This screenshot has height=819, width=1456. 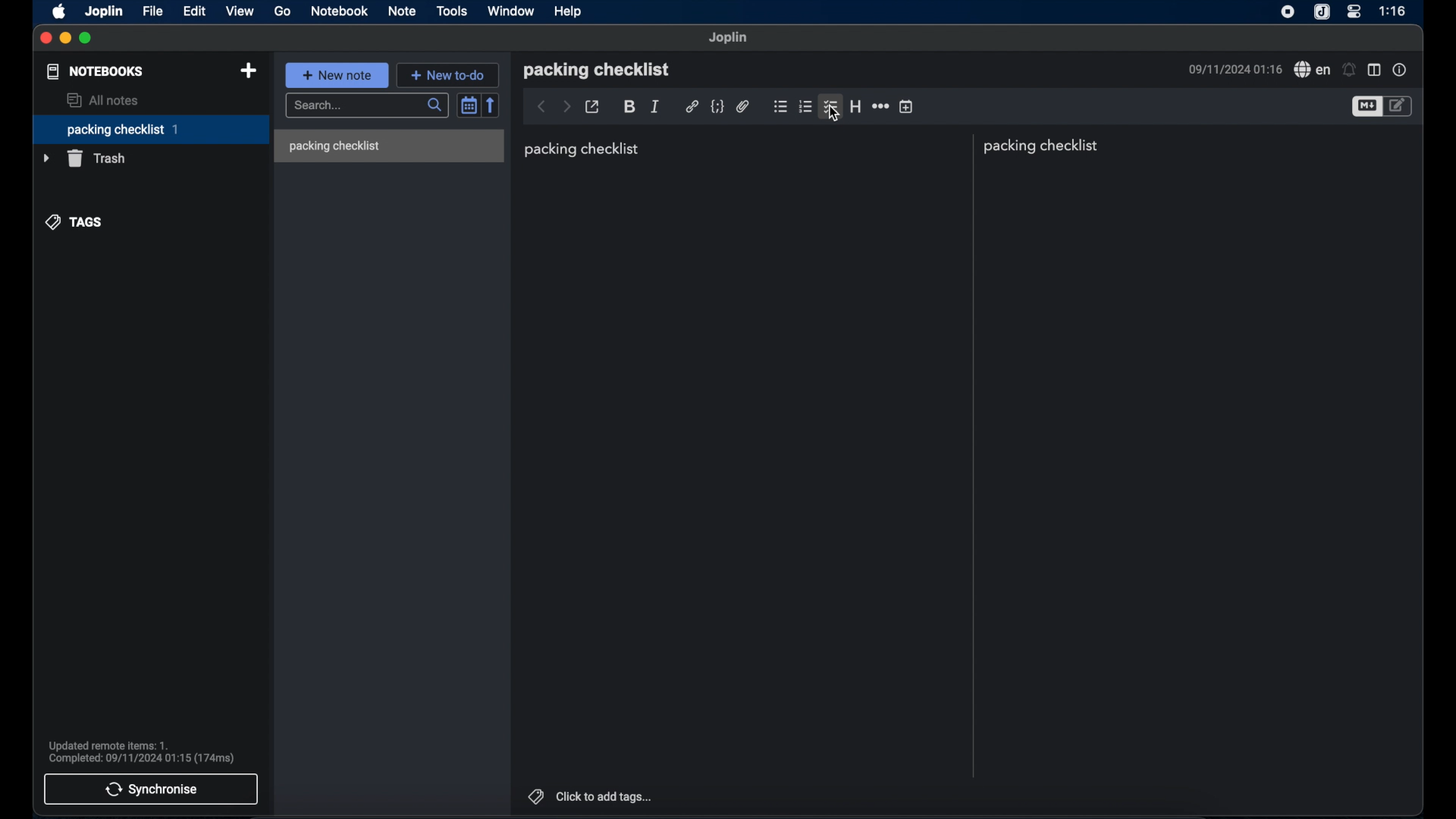 What do you see at coordinates (654, 105) in the screenshot?
I see `italic` at bounding box center [654, 105].